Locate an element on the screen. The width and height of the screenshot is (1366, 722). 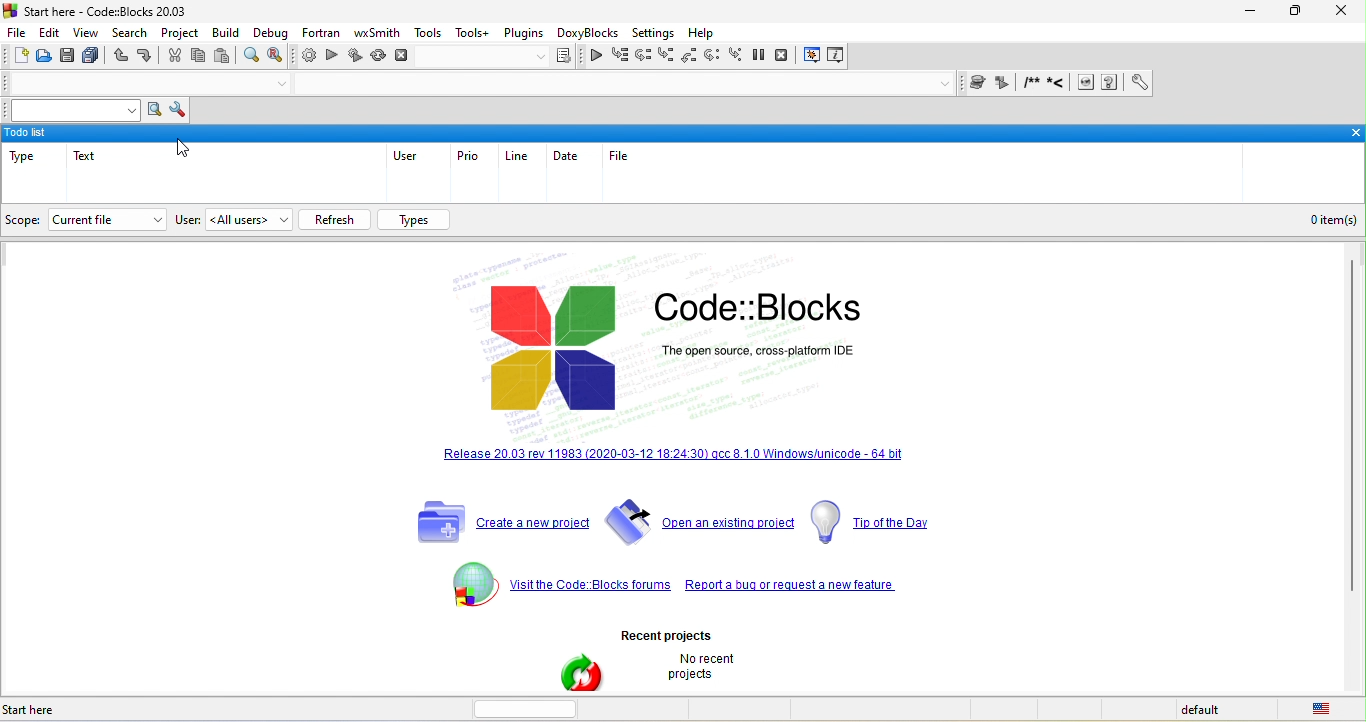
code blocks  is located at coordinates (766, 309).